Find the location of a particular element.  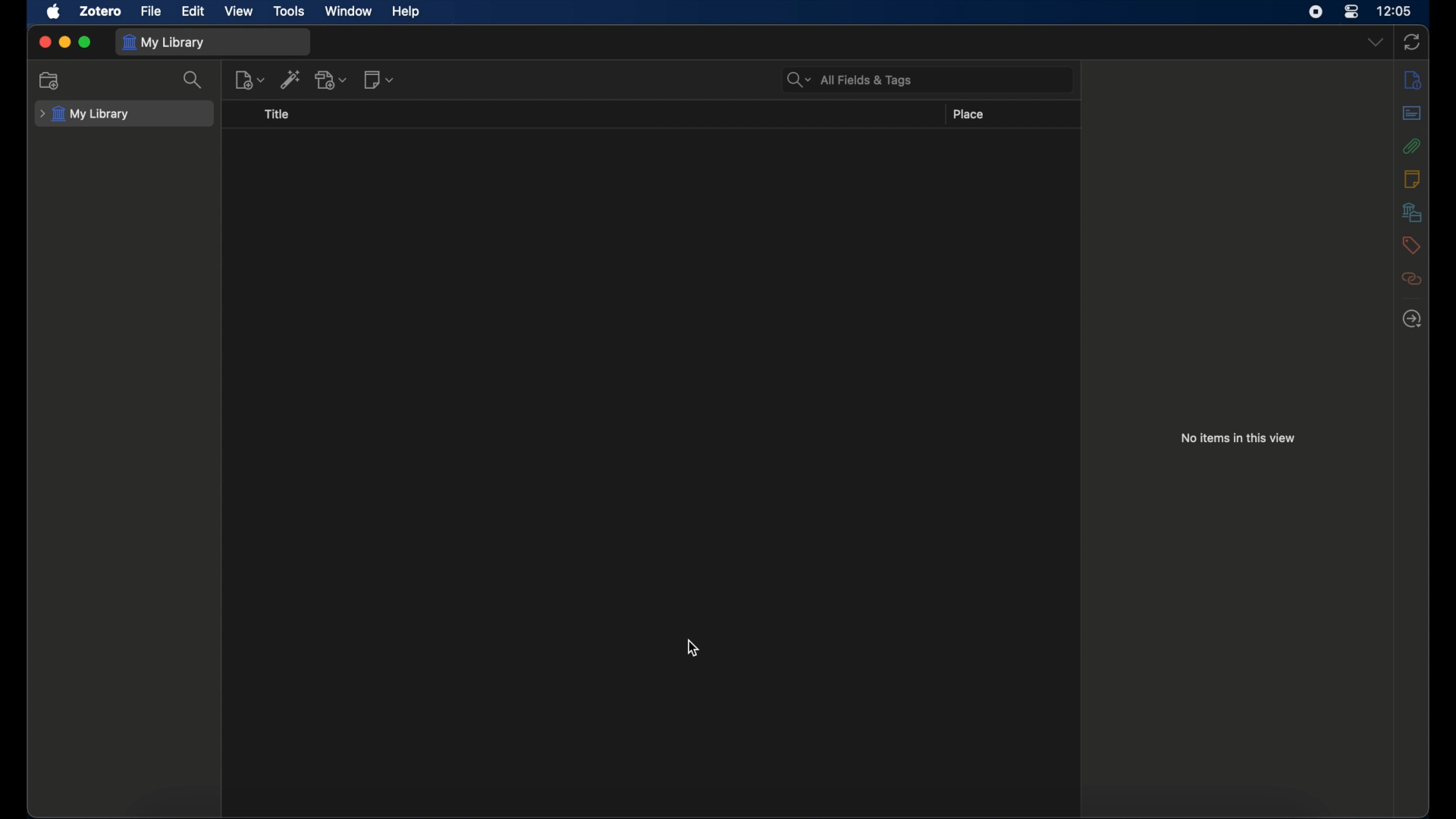

tools is located at coordinates (290, 11).